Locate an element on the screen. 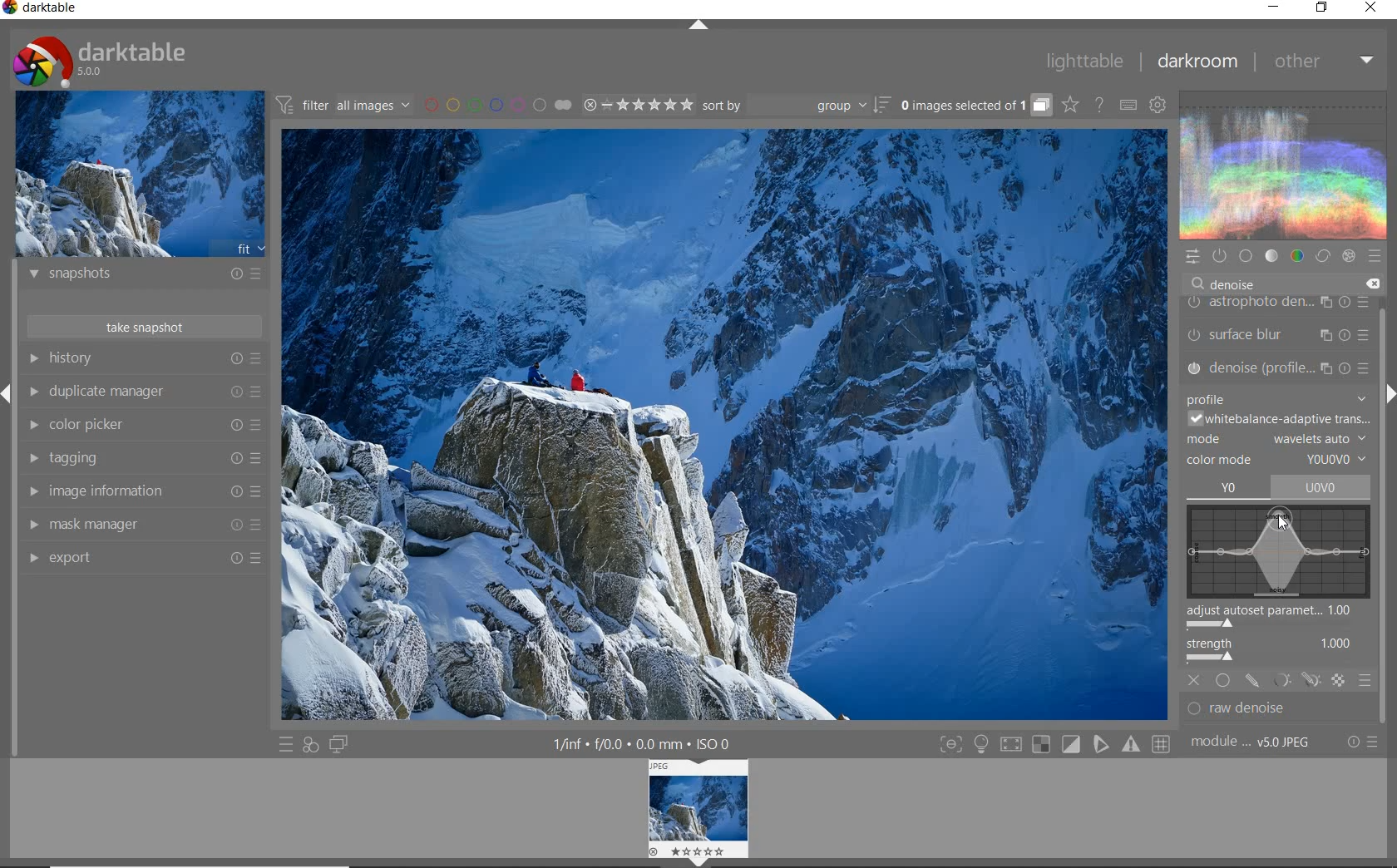 This screenshot has height=868, width=1397. MASK OPTIONS is located at coordinates (1294, 682).